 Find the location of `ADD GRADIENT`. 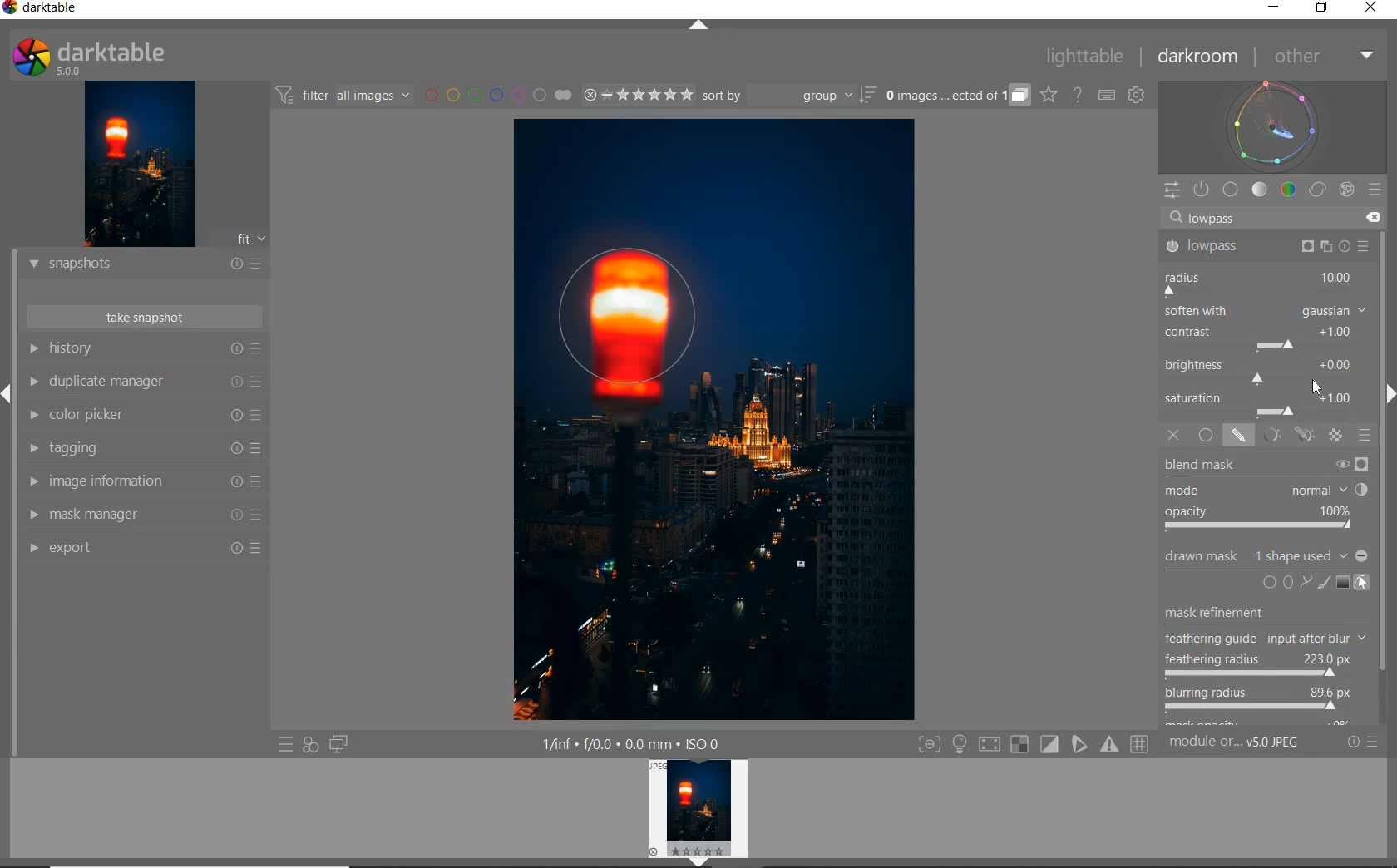

ADD GRADIENT is located at coordinates (1341, 583).